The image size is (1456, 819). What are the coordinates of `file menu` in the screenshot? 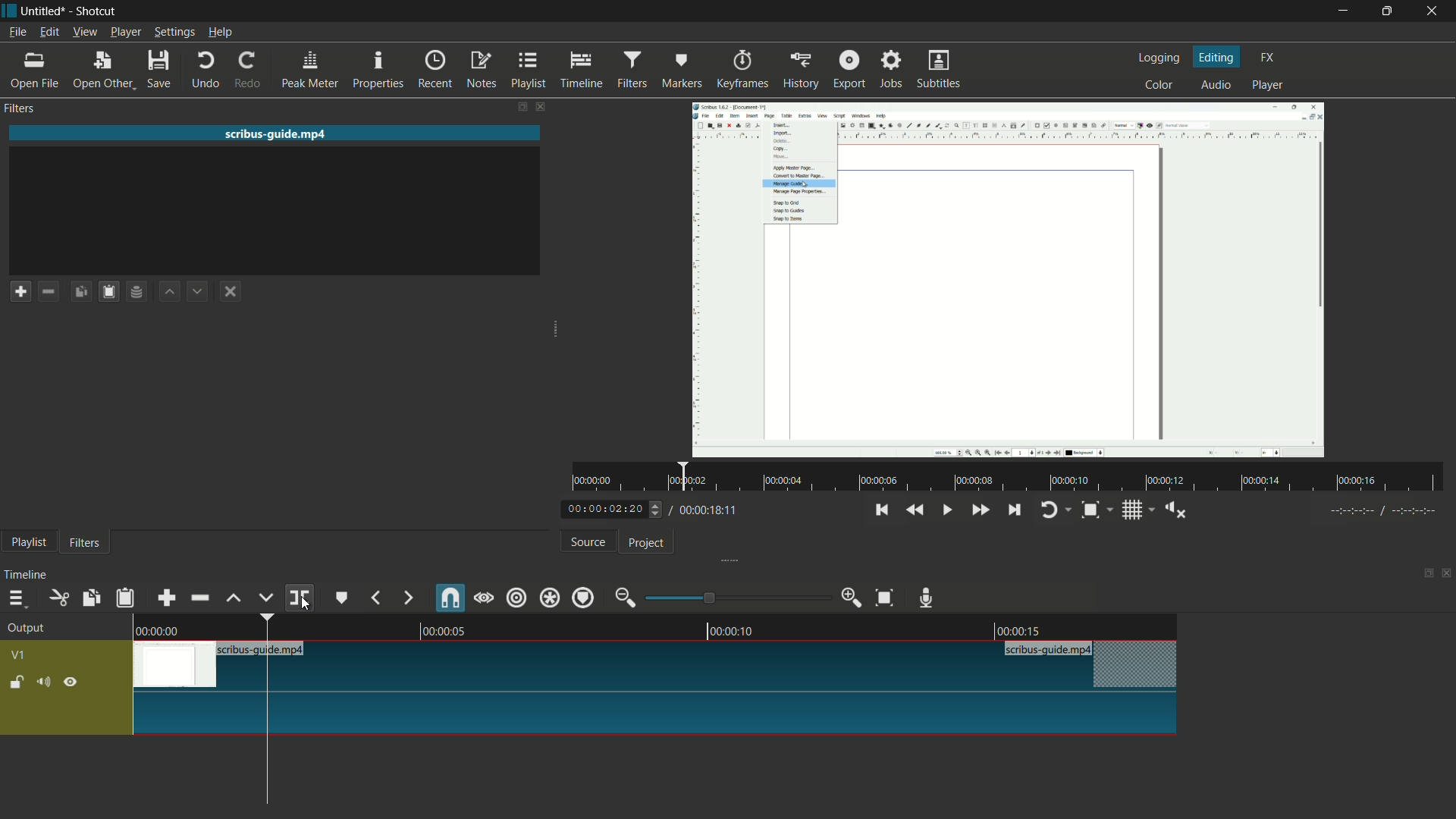 It's located at (17, 32).